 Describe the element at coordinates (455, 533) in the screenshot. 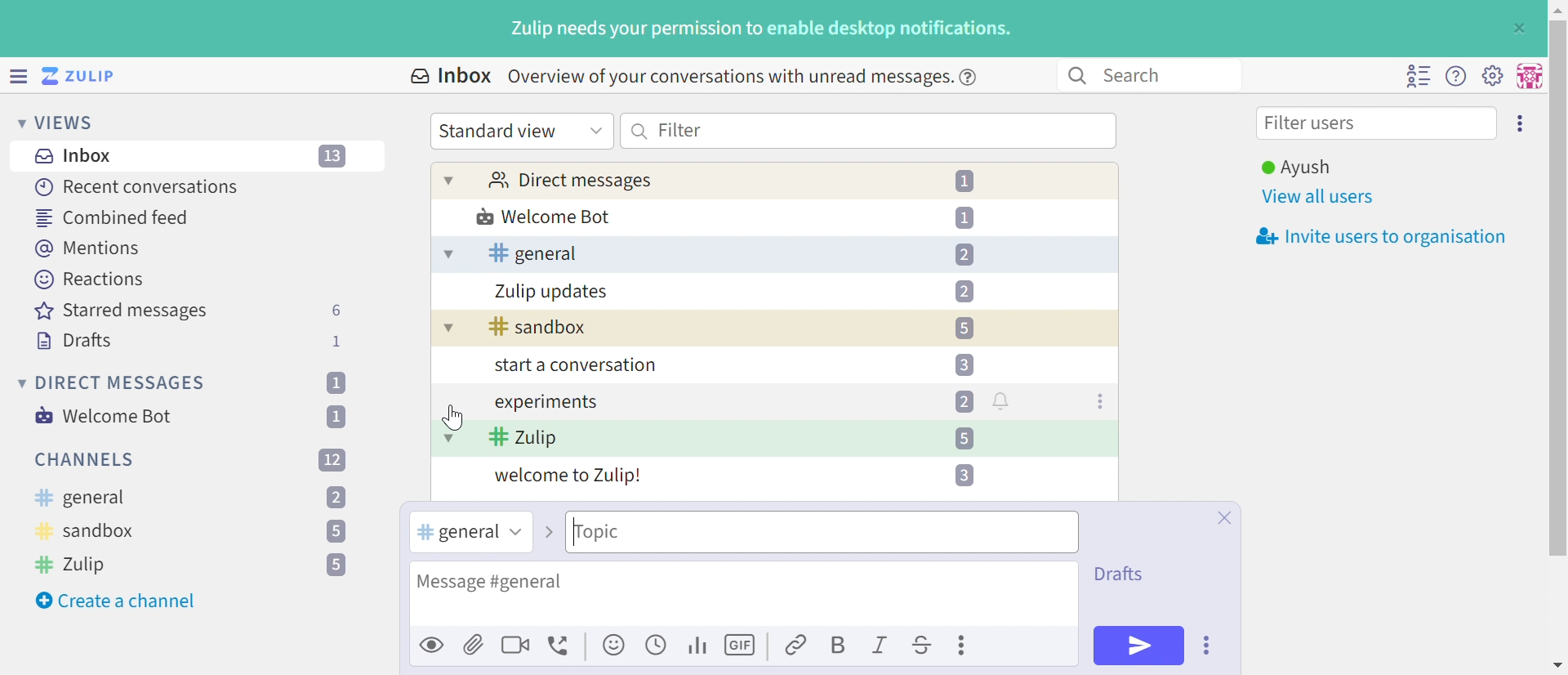

I see `#general` at that location.